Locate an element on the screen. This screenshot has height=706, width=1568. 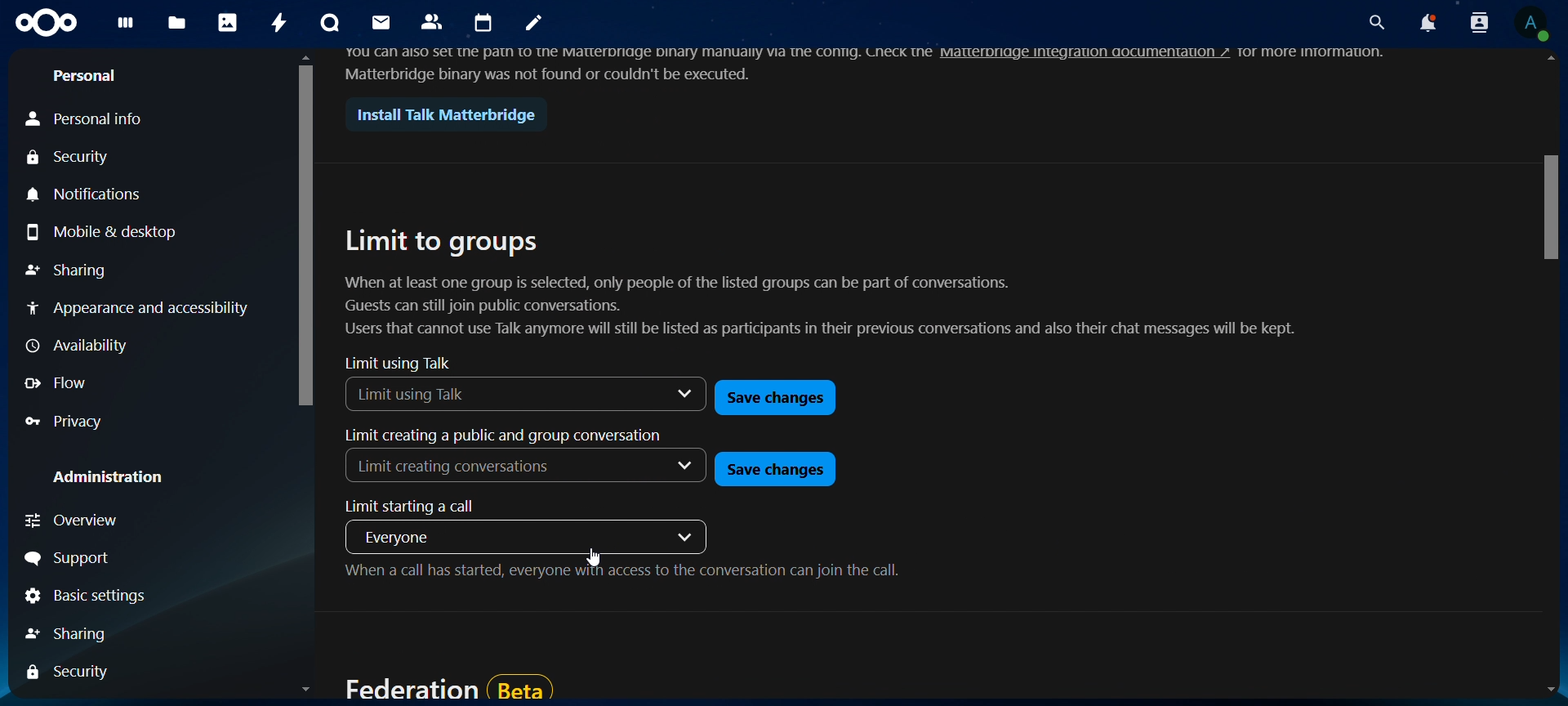
save changes is located at coordinates (774, 468).